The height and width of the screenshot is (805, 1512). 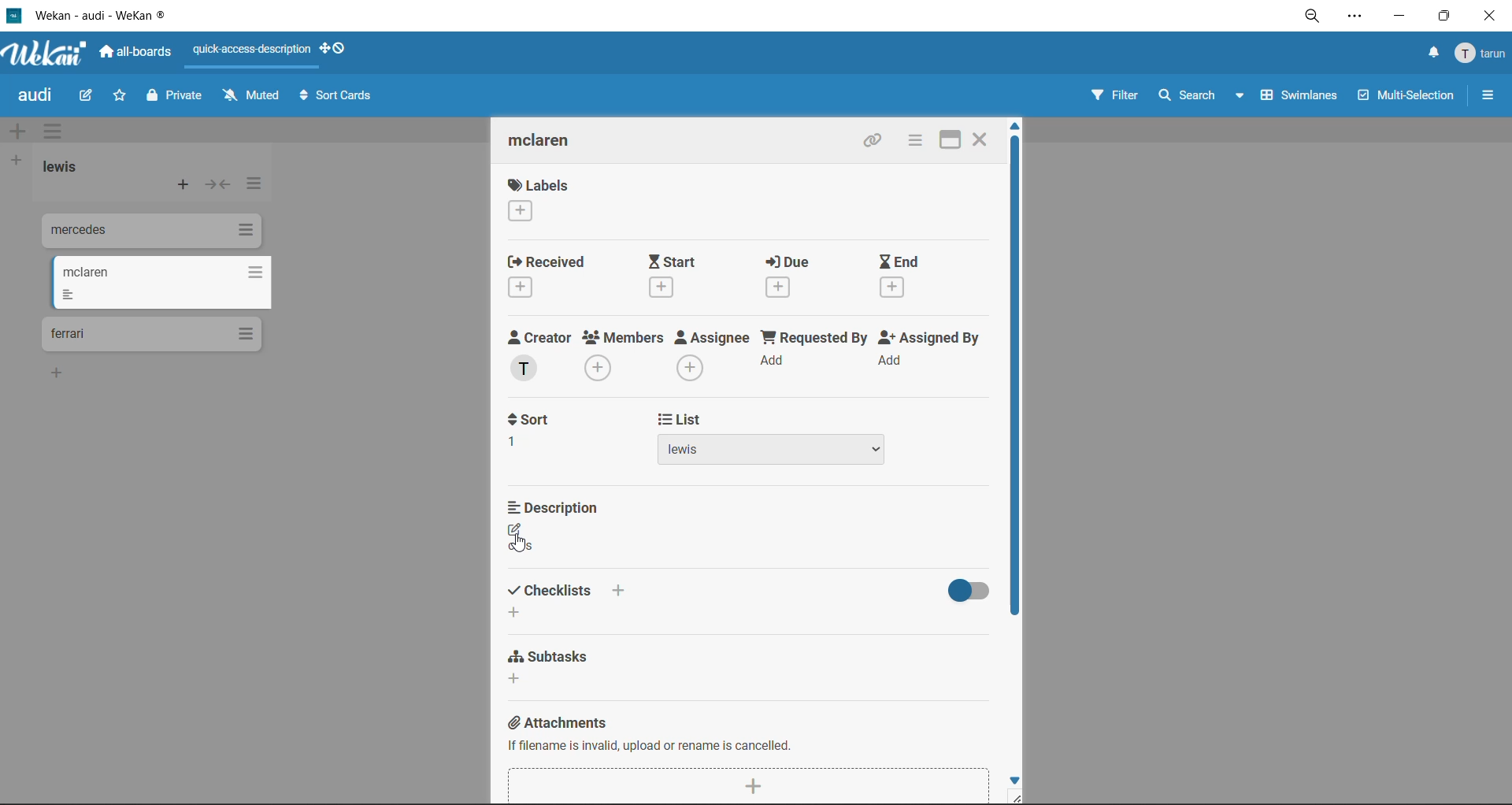 What do you see at coordinates (549, 670) in the screenshot?
I see `subtasks` at bounding box center [549, 670].